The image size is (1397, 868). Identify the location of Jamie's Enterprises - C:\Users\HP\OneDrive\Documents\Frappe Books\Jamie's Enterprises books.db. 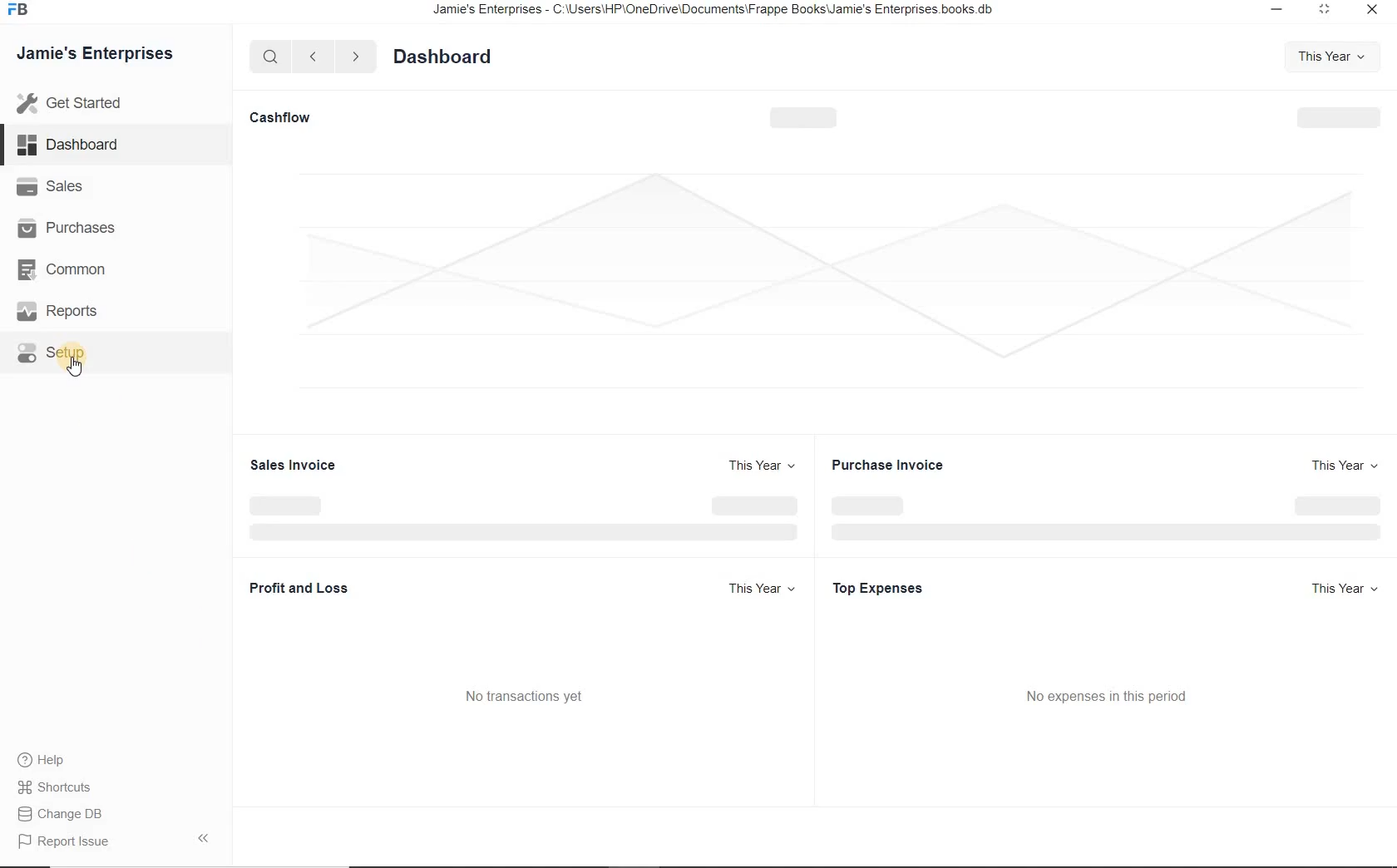
(728, 12).